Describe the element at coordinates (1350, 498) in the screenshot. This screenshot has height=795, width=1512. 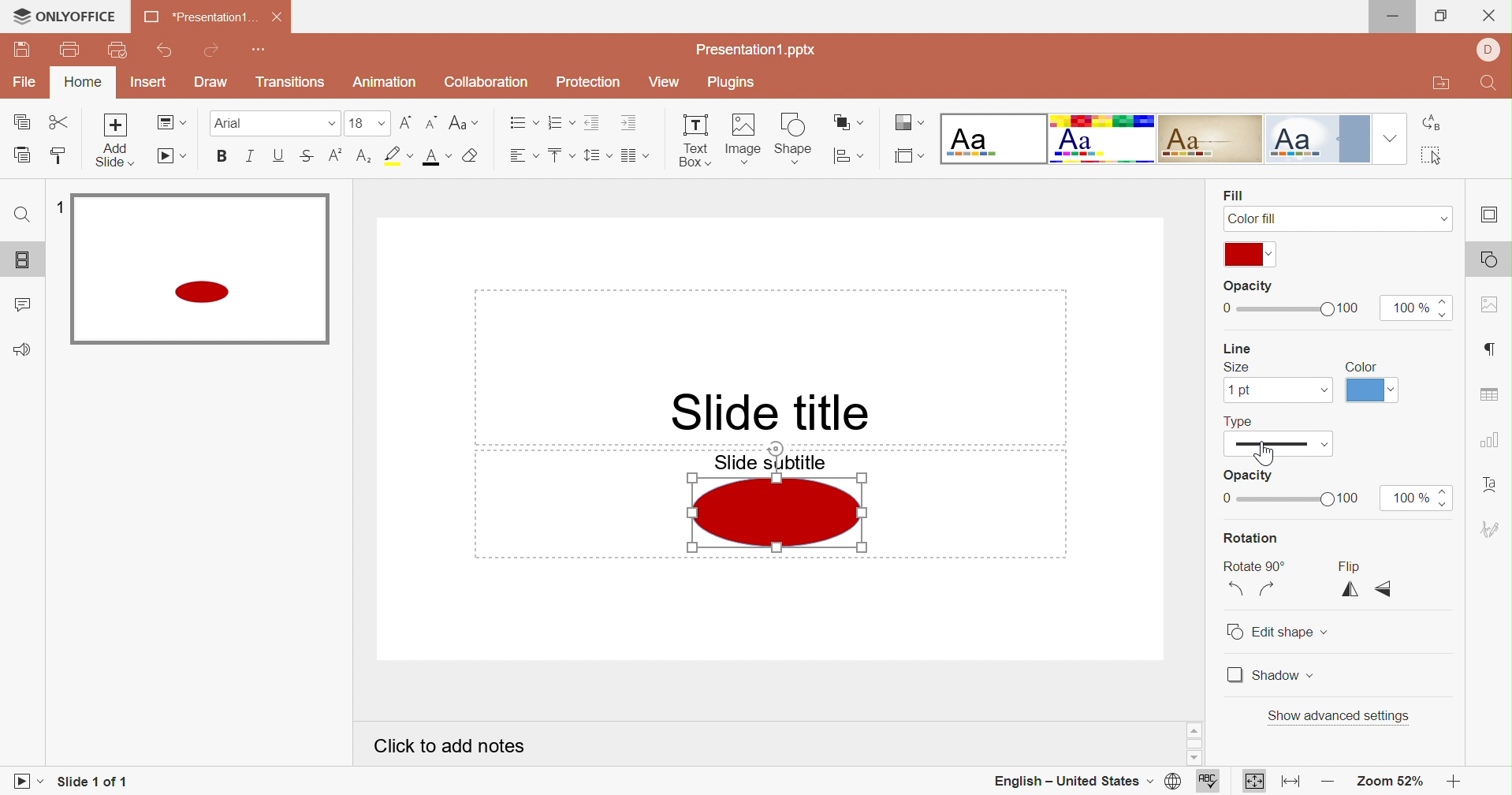
I see `100` at that location.